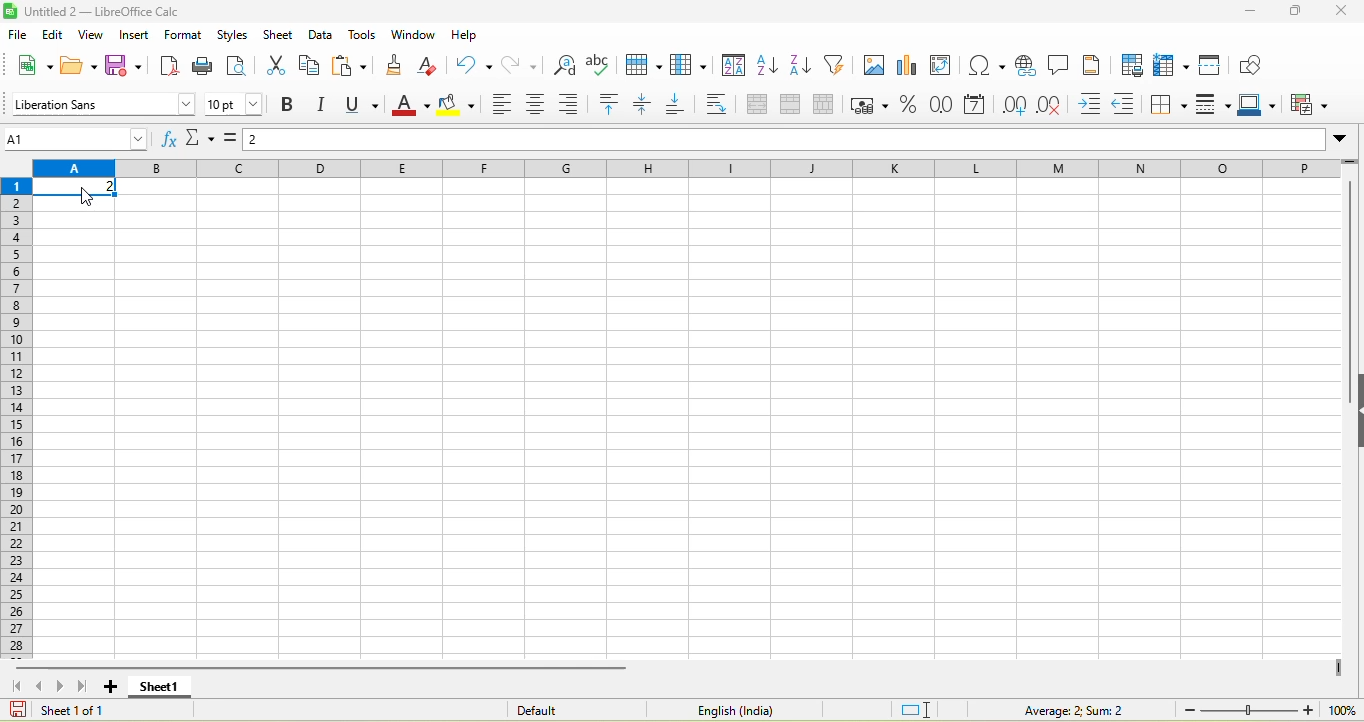 The image size is (1364, 722). I want to click on cut, so click(276, 67).